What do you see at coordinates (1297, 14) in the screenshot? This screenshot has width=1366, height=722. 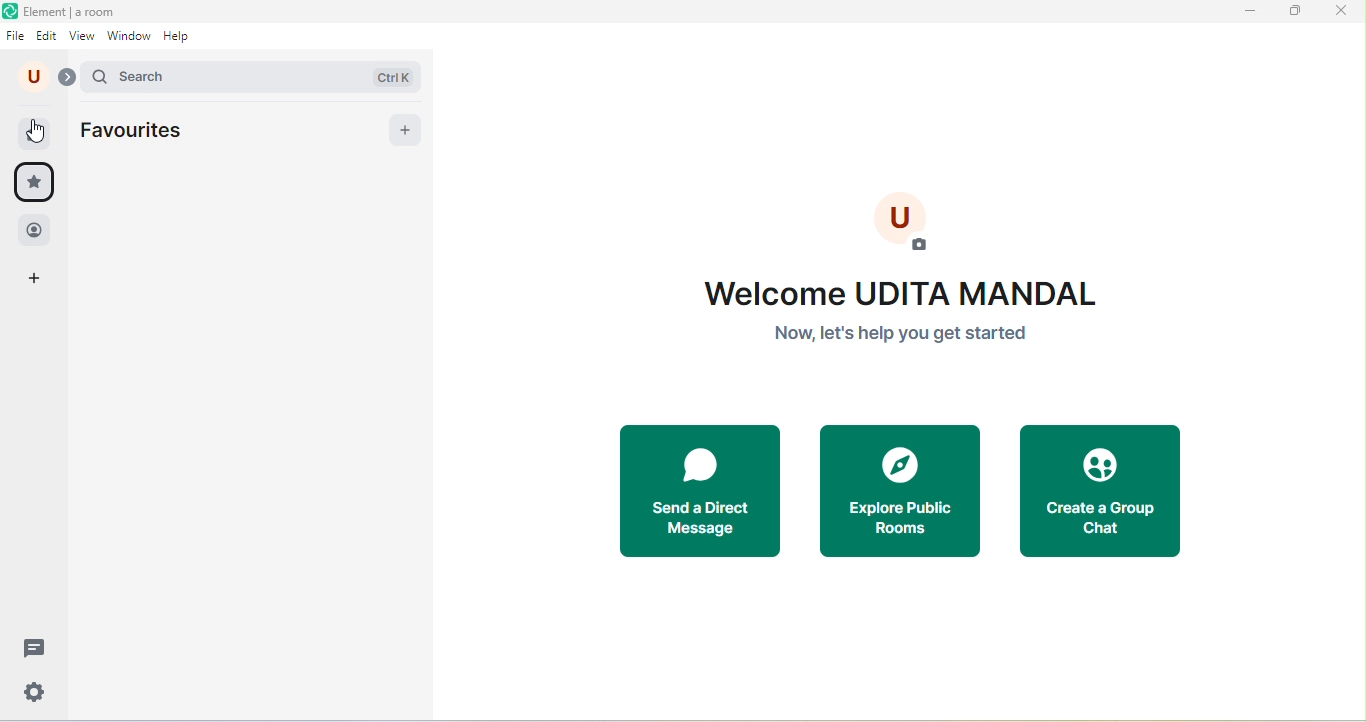 I see `maximize` at bounding box center [1297, 14].